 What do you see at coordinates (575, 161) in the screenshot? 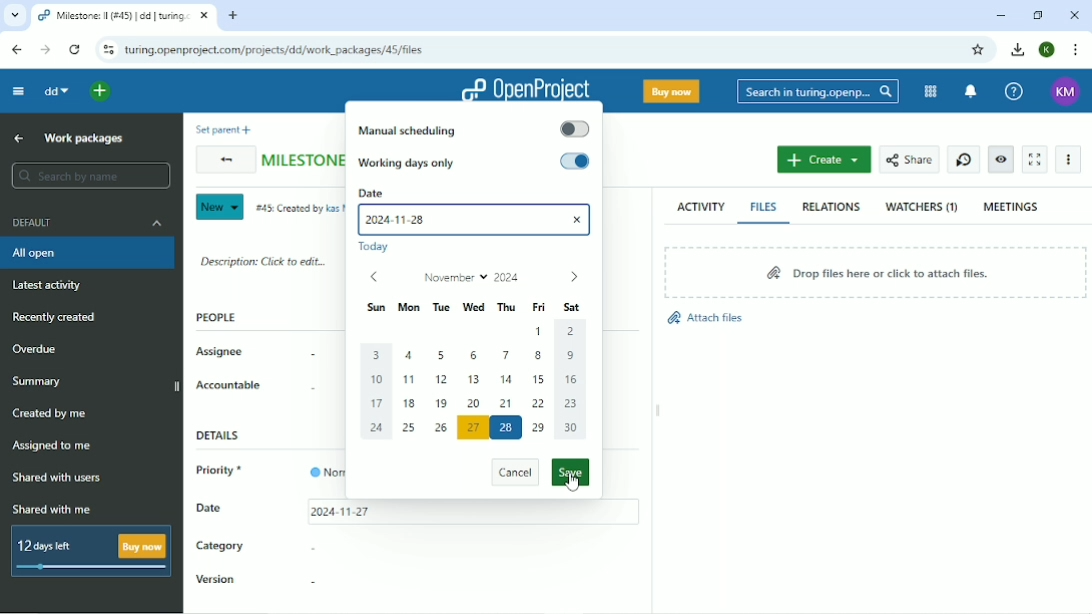
I see `toggle` at bounding box center [575, 161].